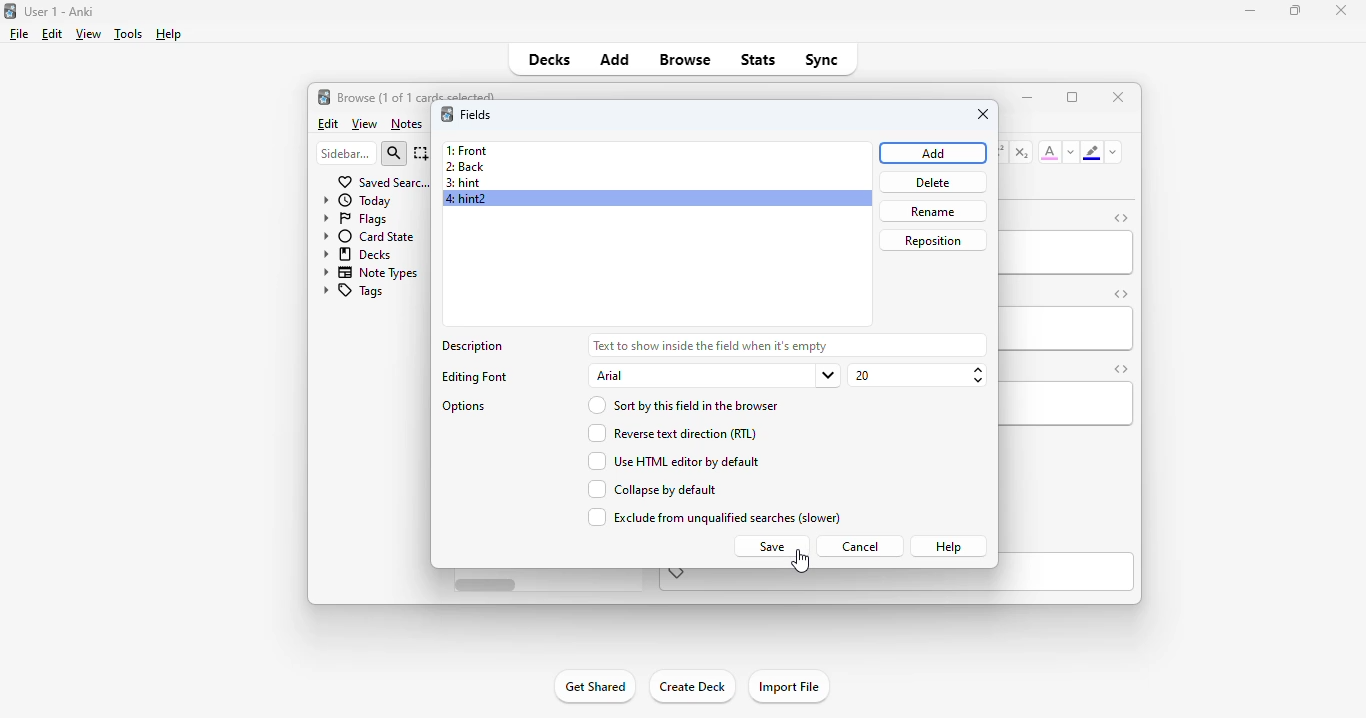 This screenshot has height=718, width=1366. I want to click on decks, so click(359, 253).